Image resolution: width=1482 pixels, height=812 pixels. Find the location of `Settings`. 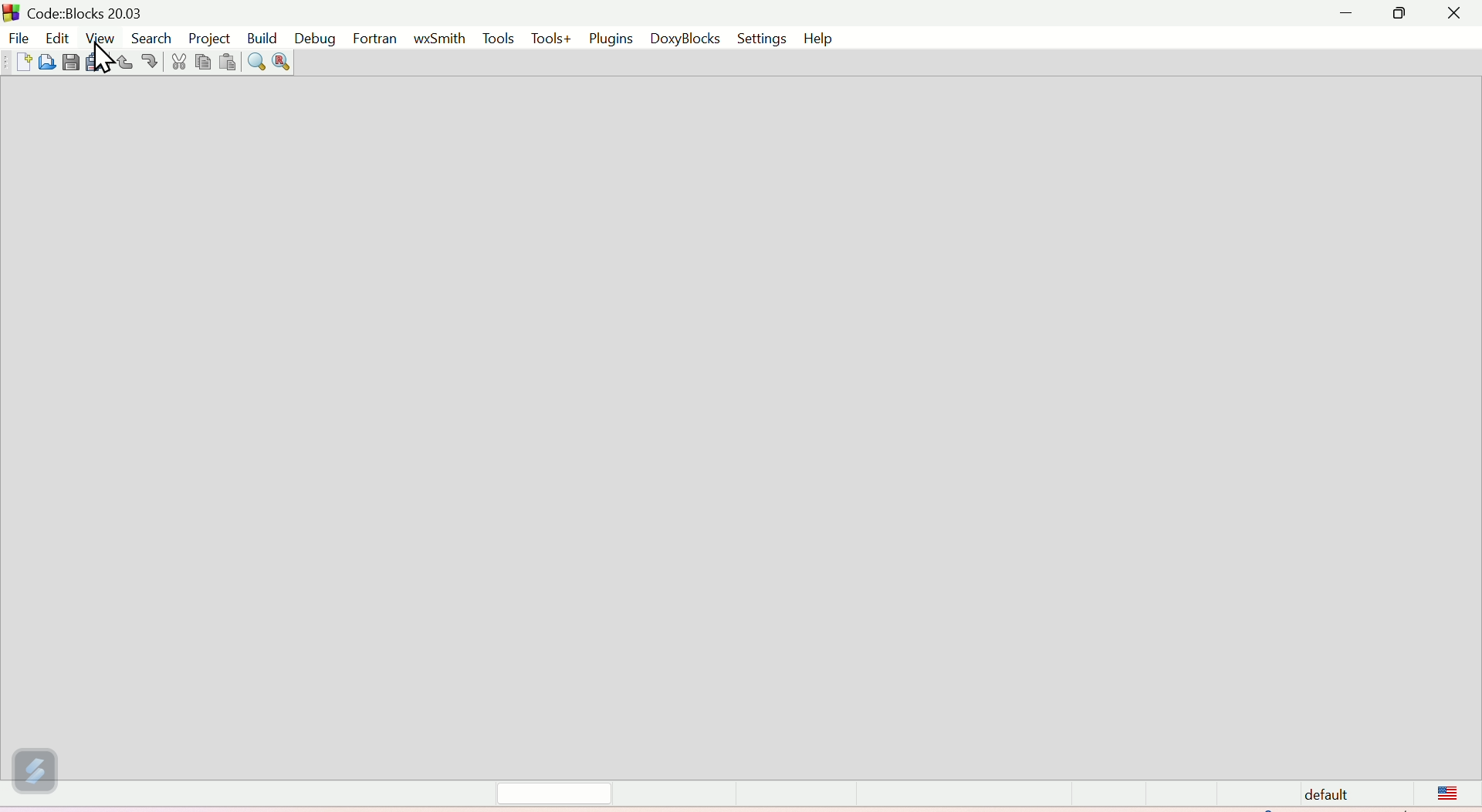

Settings is located at coordinates (764, 39).